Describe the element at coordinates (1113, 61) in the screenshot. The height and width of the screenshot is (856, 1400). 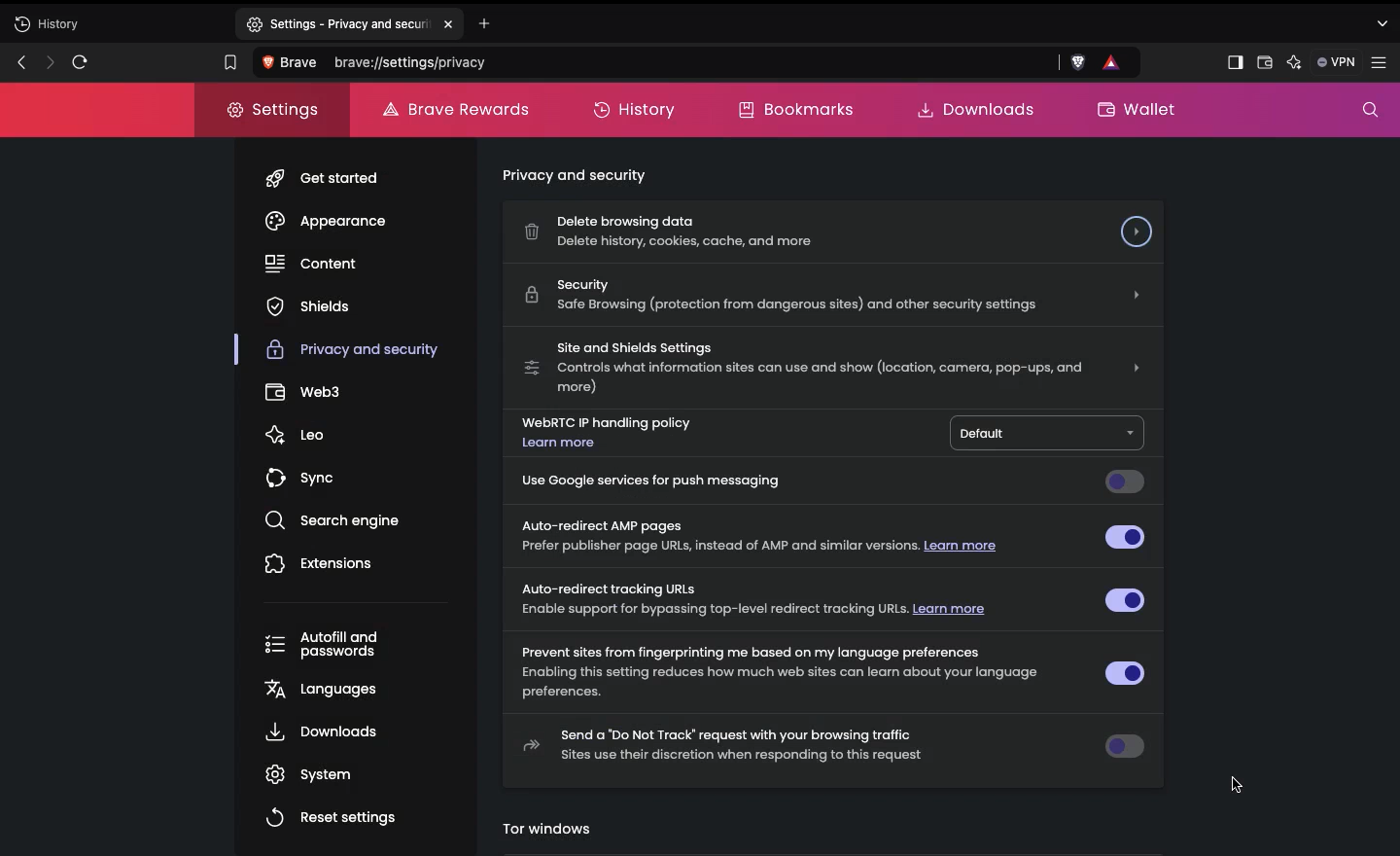
I see `rewards` at that location.